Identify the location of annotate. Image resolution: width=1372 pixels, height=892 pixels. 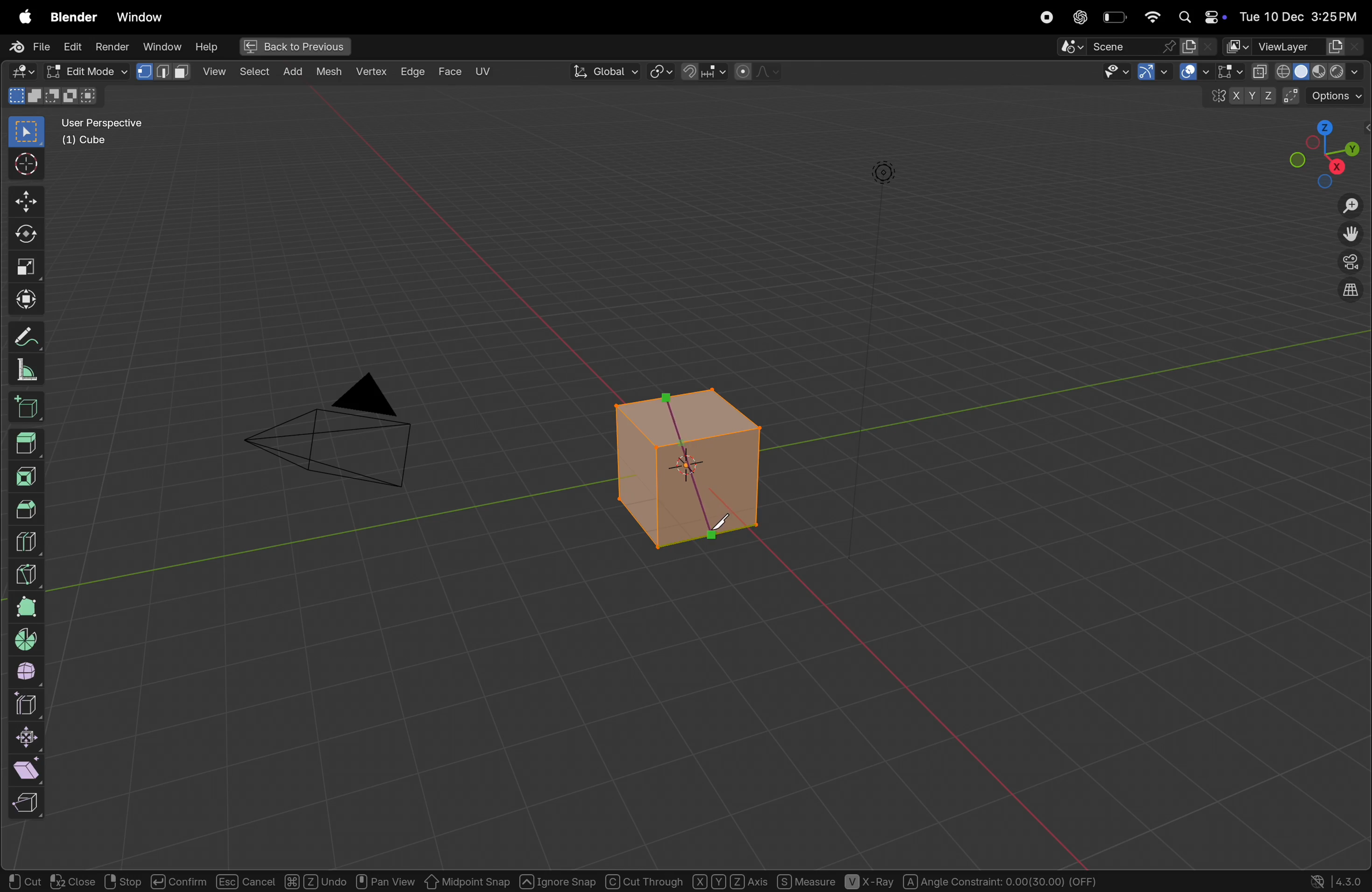
(25, 339).